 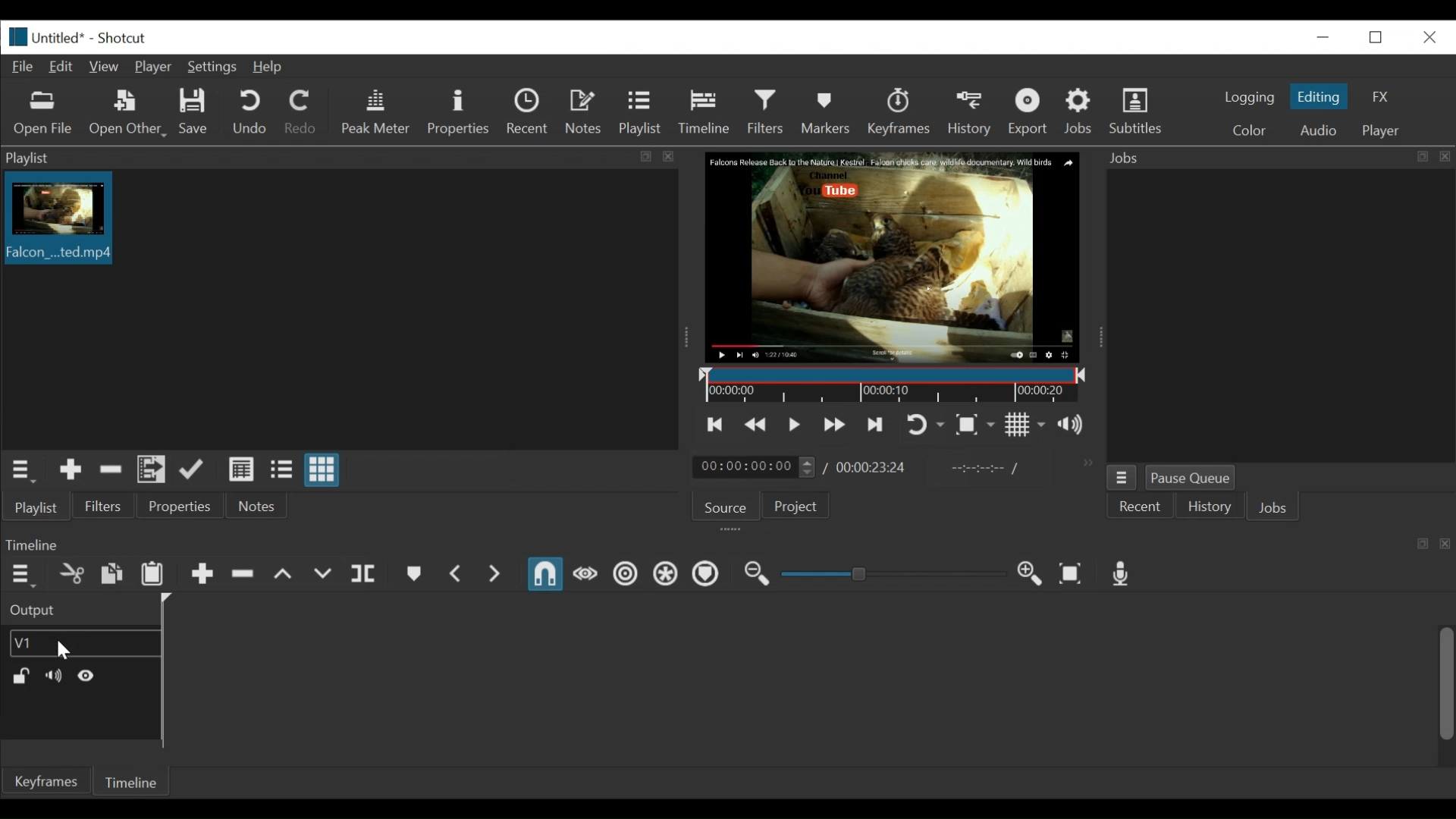 I want to click on Filters, so click(x=108, y=507).